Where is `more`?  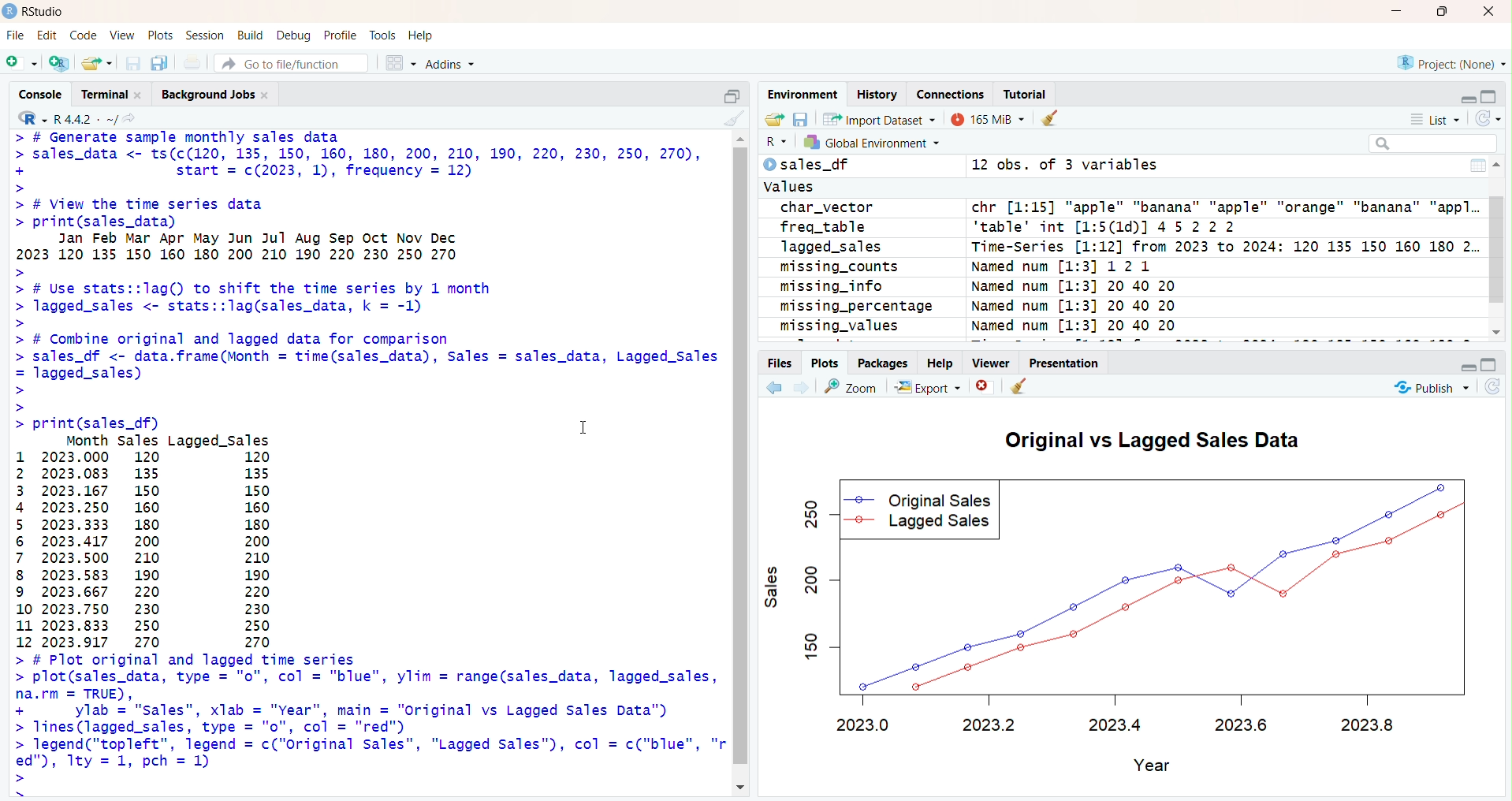 more is located at coordinates (1477, 166).